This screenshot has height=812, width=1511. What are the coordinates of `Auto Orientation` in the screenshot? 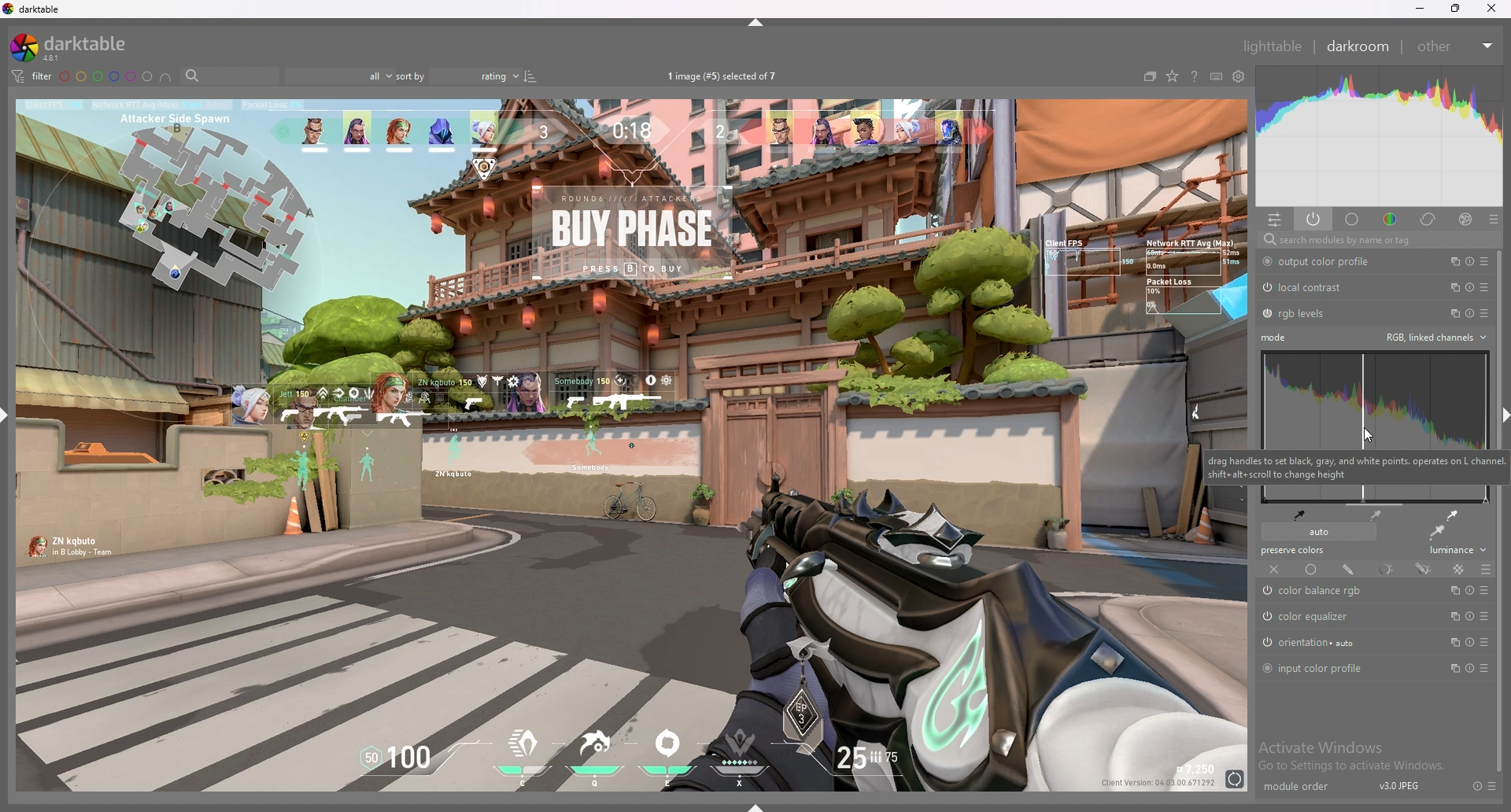 It's located at (1316, 644).